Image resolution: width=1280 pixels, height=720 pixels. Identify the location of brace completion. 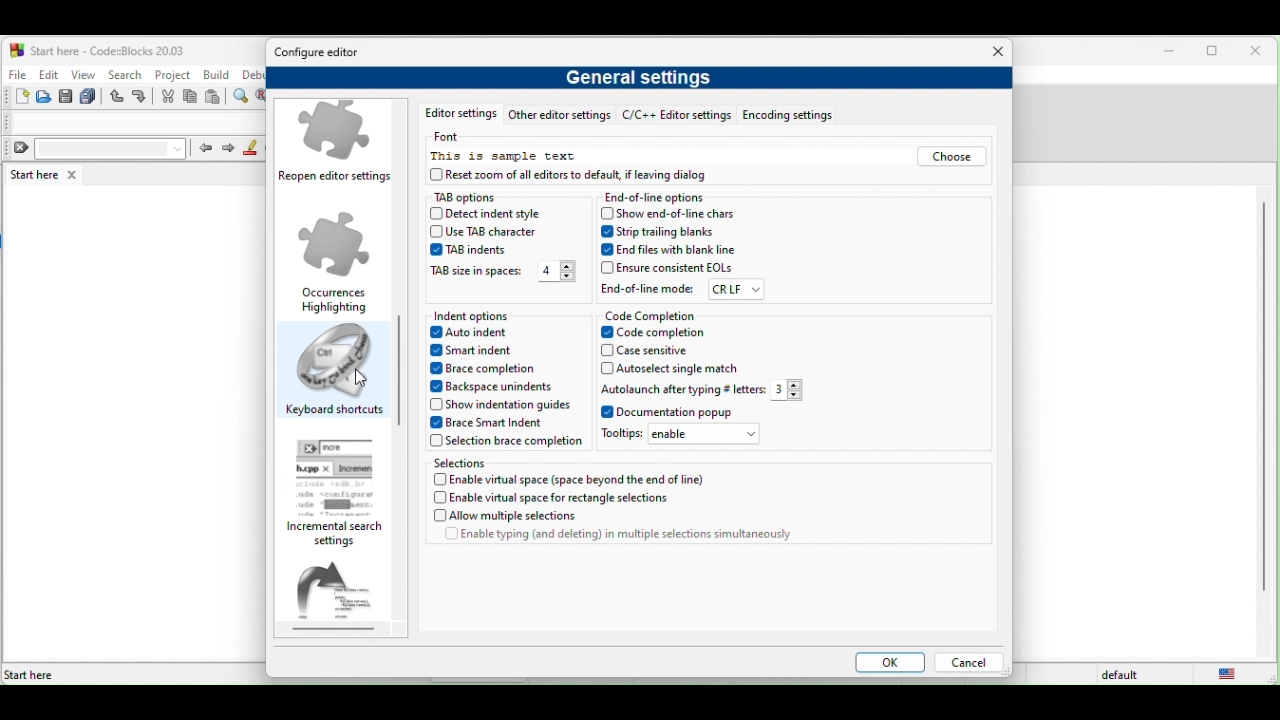
(490, 370).